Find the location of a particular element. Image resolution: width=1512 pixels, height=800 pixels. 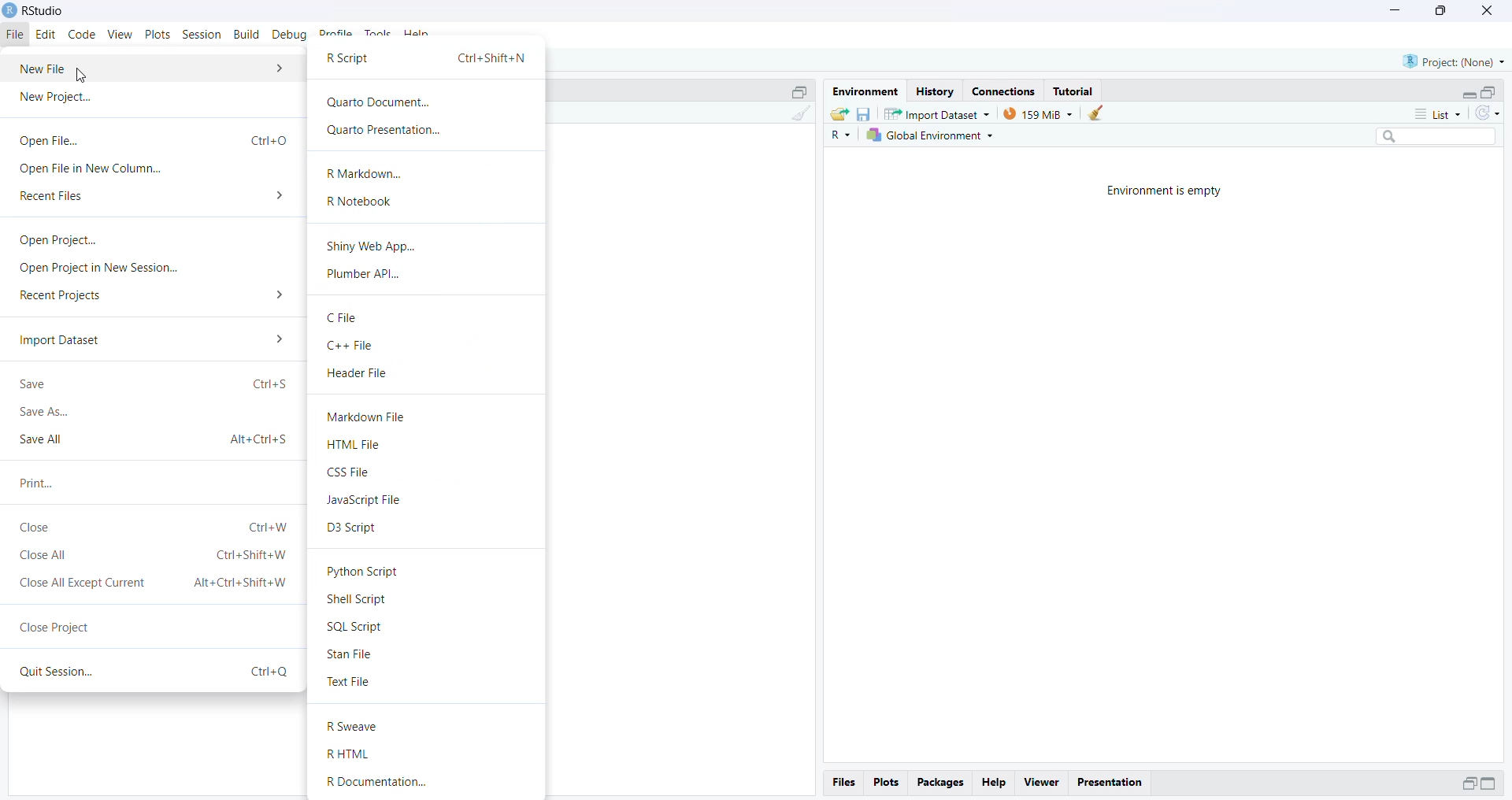

profile is located at coordinates (337, 35).